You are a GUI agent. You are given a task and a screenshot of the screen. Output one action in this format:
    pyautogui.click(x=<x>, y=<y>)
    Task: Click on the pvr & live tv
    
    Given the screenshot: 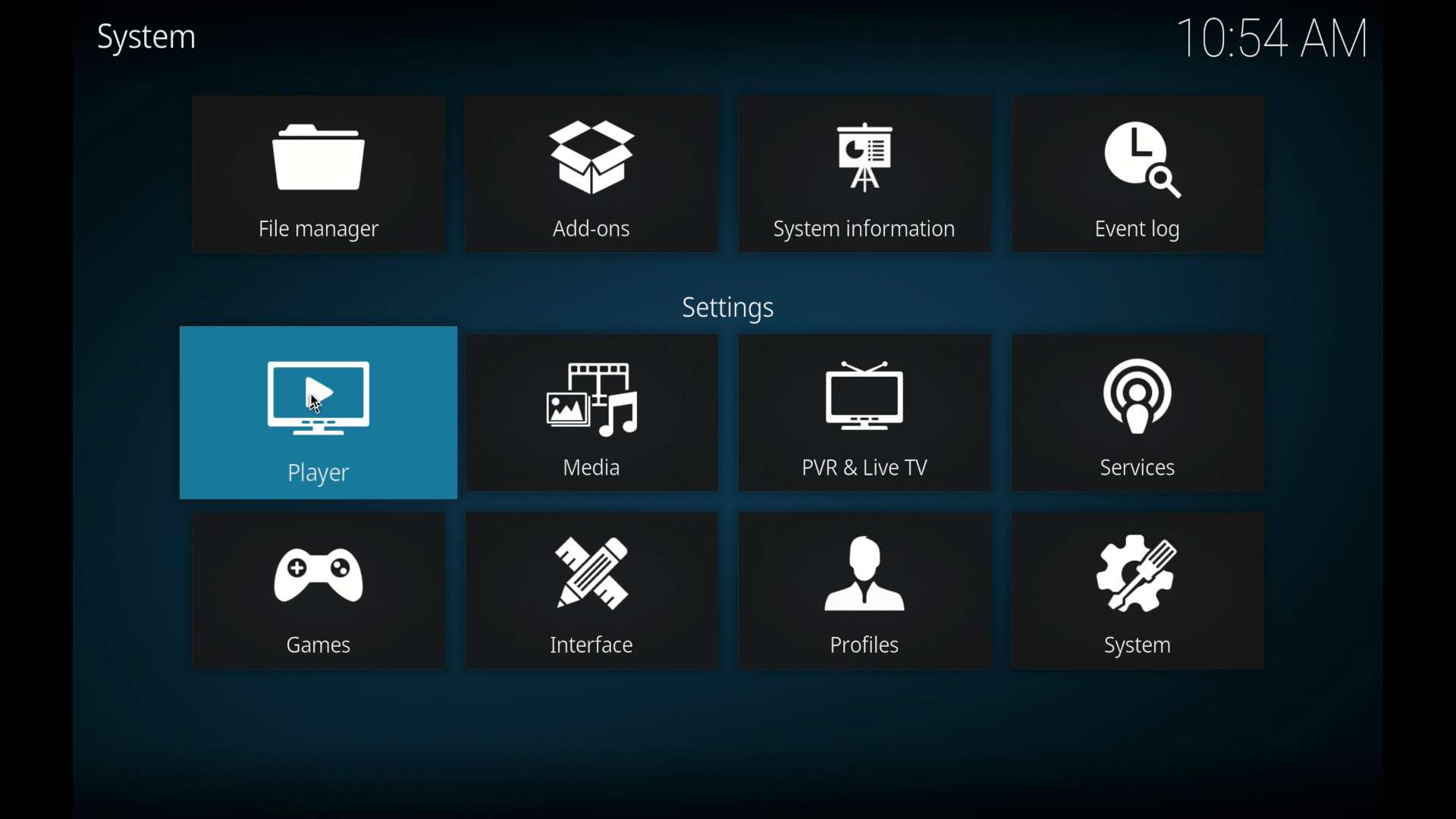 What is the action you would take?
    pyautogui.click(x=865, y=412)
    